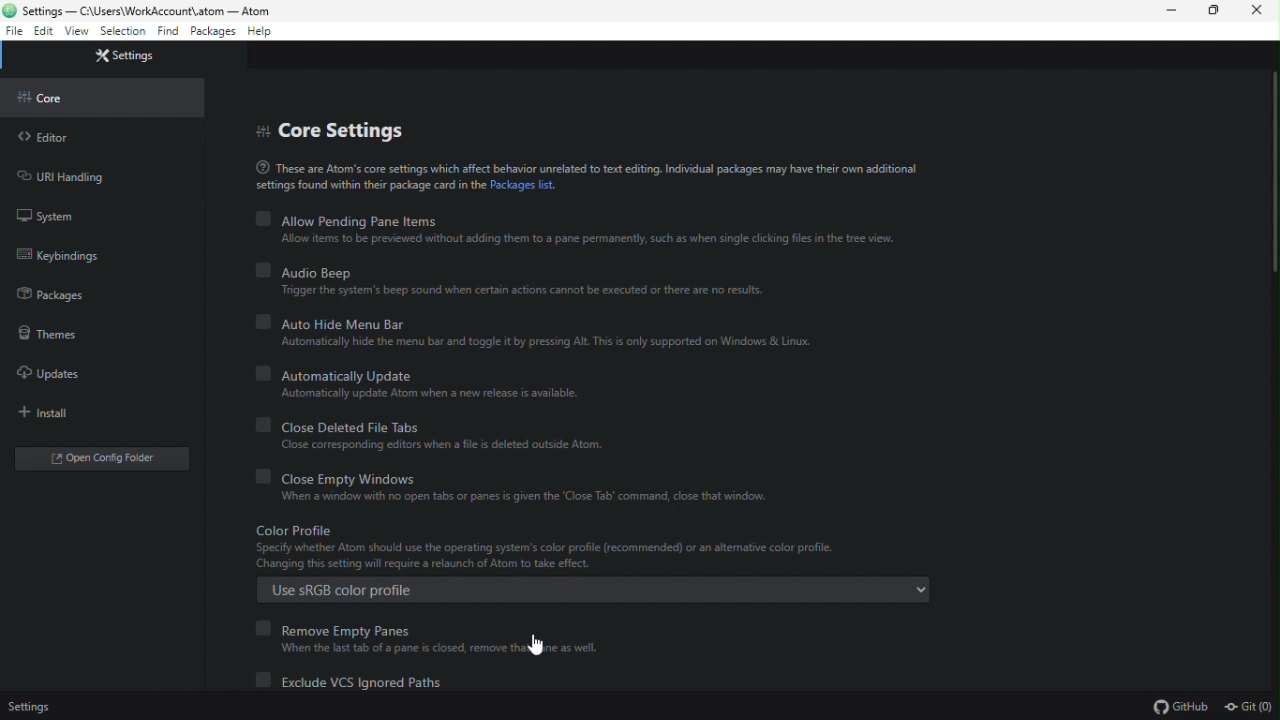 Image resolution: width=1280 pixels, height=720 pixels. What do you see at coordinates (541, 330) in the screenshot?
I see `auto hide menu bar` at bounding box center [541, 330].